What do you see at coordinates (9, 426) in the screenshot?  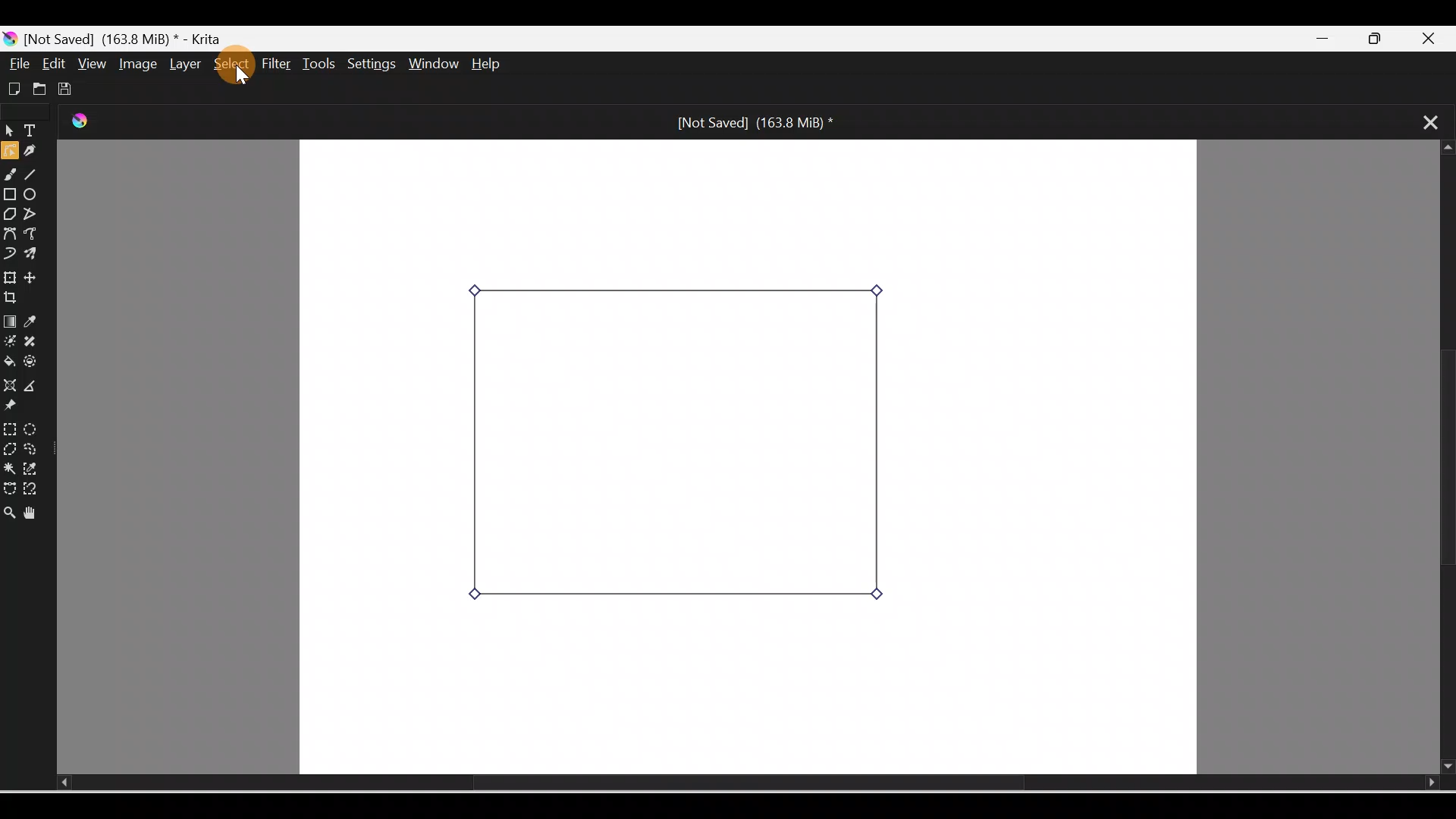 I see `Rectangular selection tool` at bounding box center [9, 426].